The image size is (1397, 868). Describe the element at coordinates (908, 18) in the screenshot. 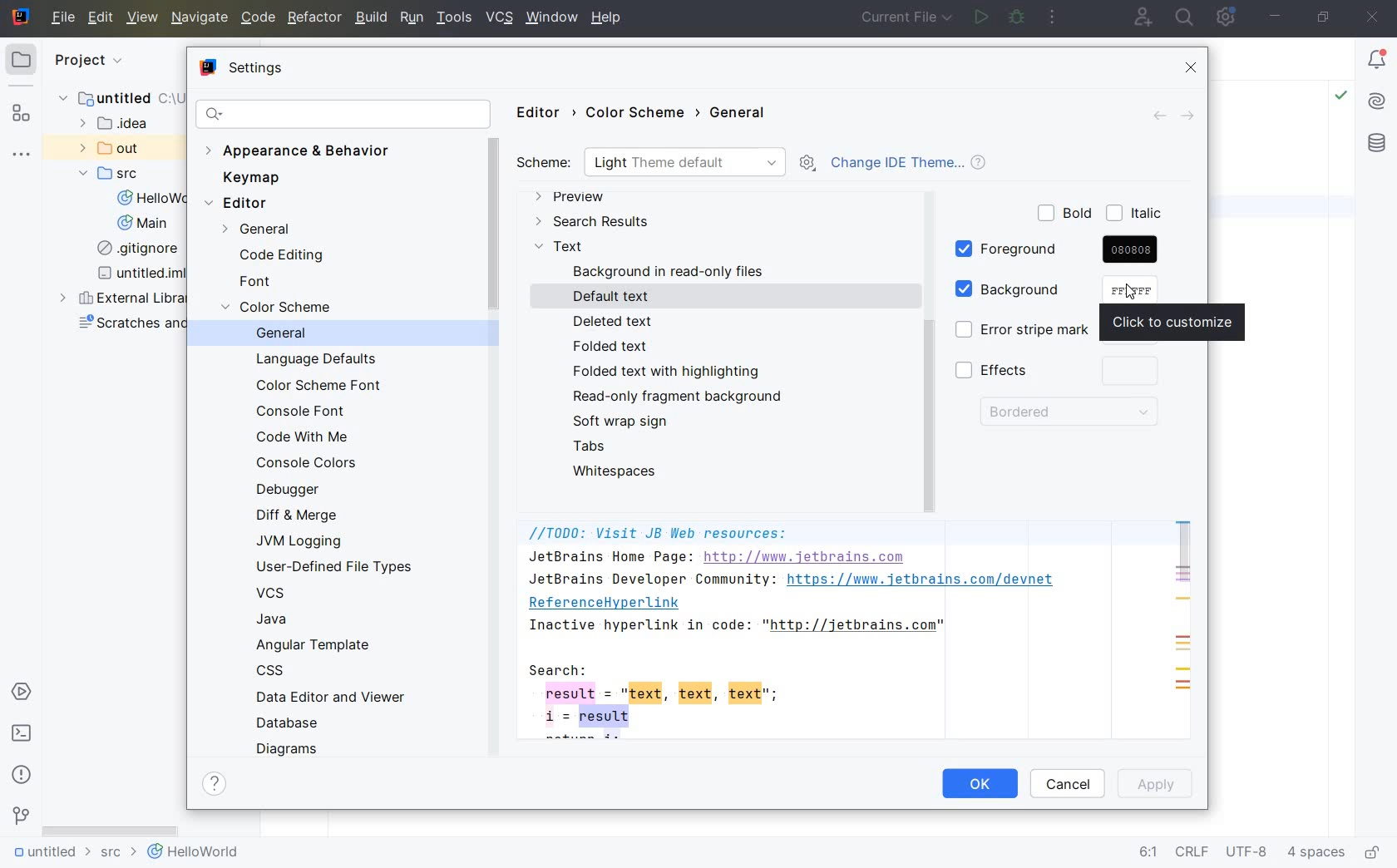

I see `current file` at that location.